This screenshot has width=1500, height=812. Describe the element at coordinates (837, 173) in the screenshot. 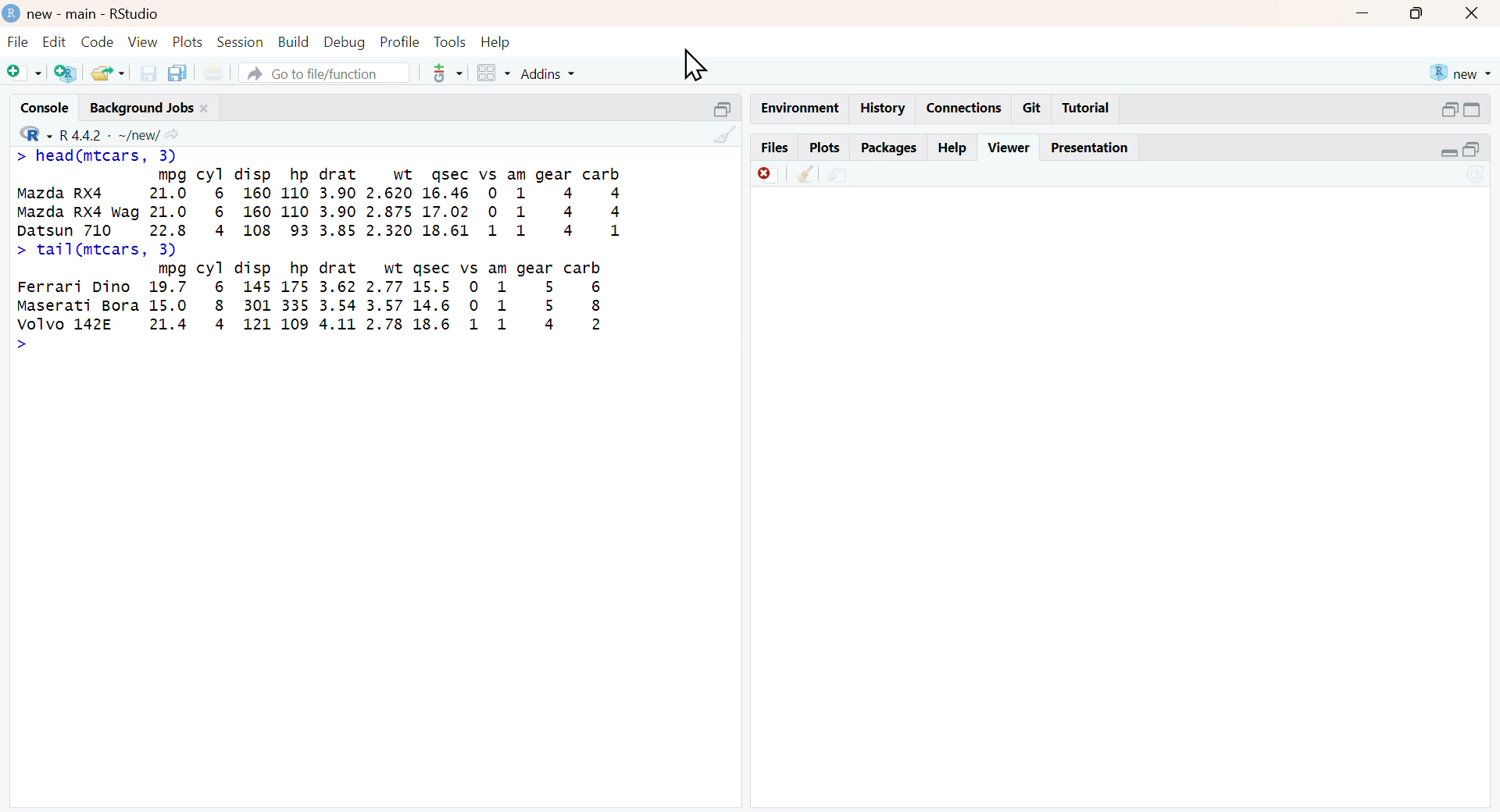

I see `Show in new window` at that location.